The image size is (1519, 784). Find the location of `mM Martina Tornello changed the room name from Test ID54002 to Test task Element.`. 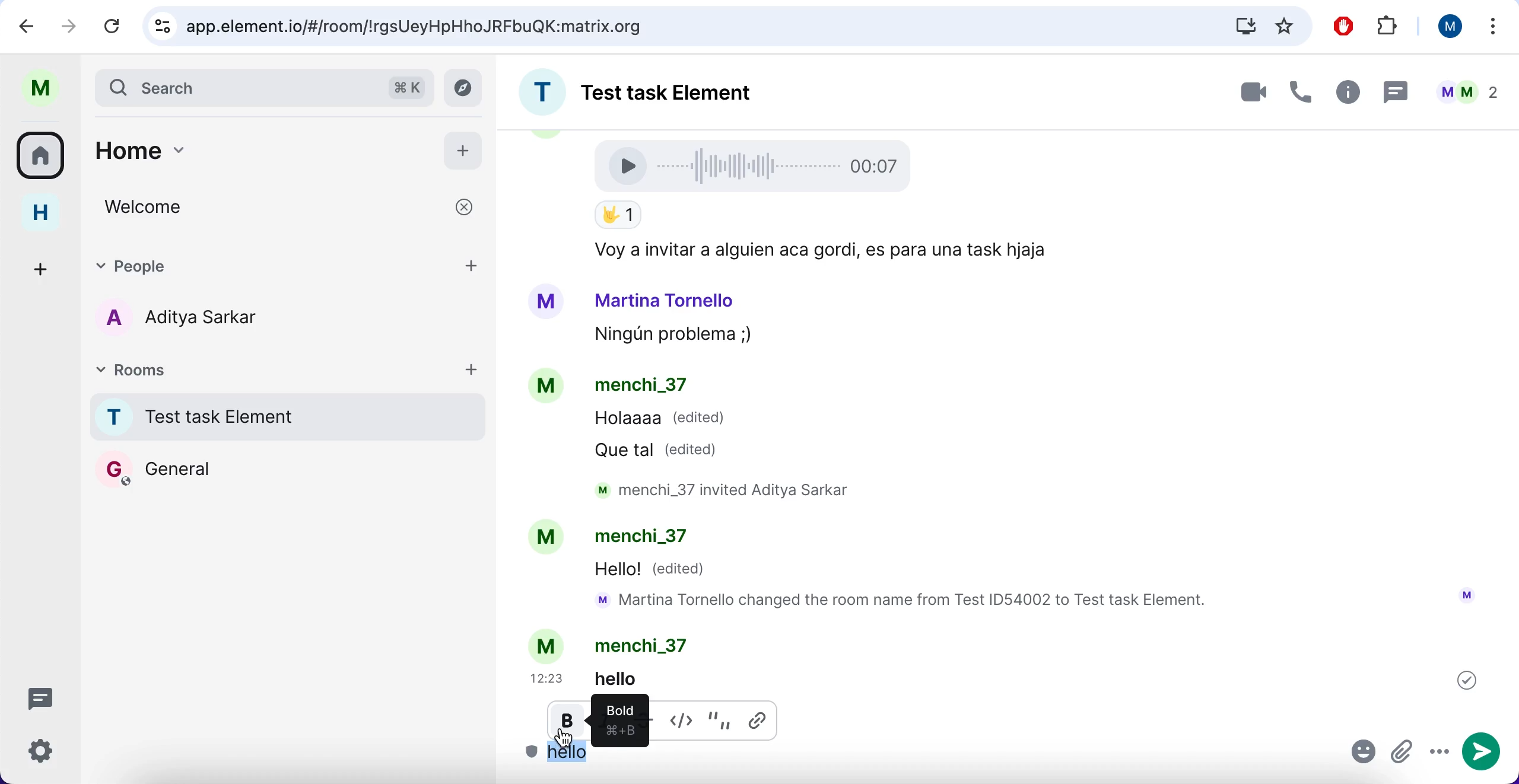

mM Martina Tornello changed the room name from Test ID54002 to Test task Element. is located at coordinates (907, 601).